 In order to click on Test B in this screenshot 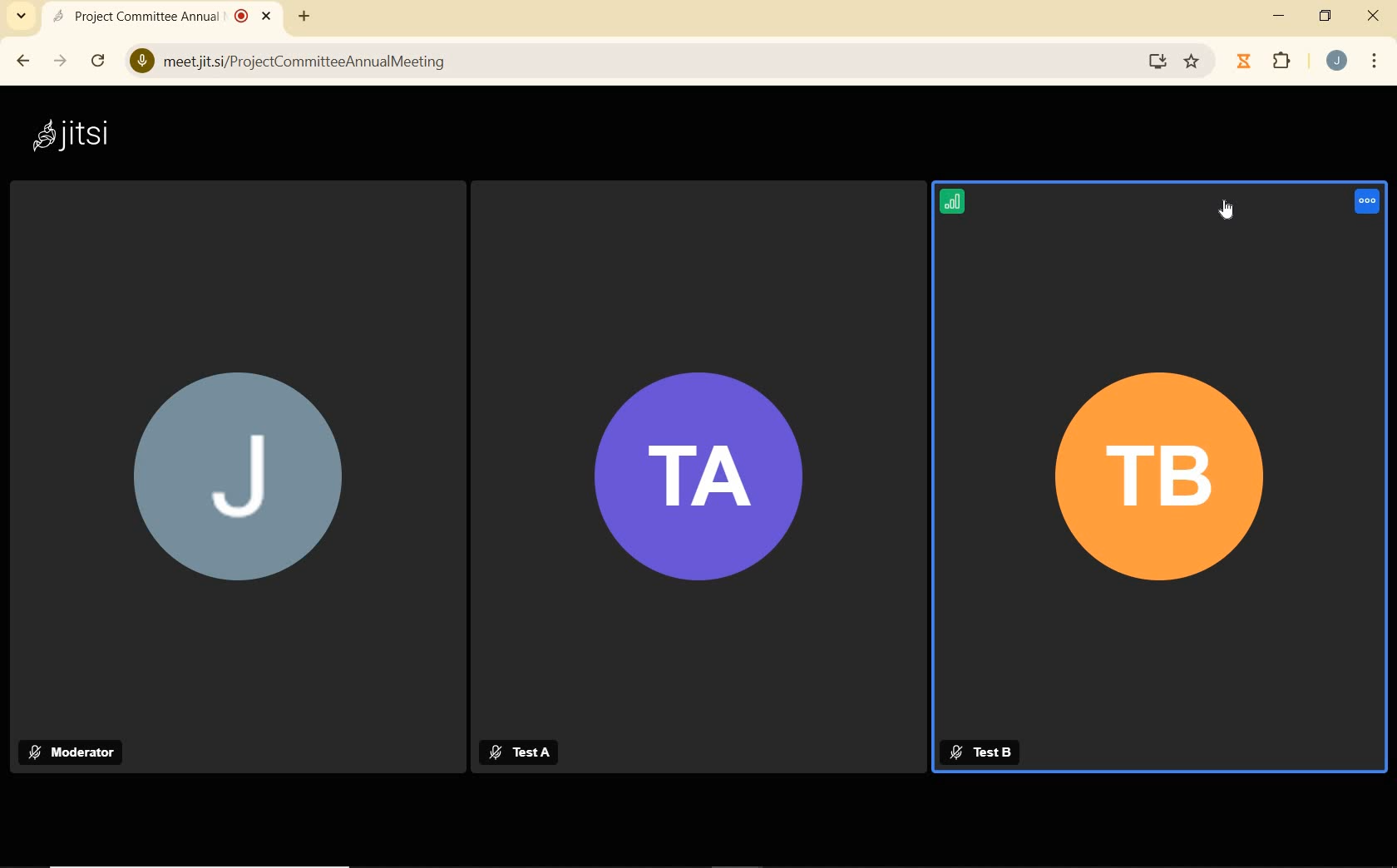, I will do `click(984, 752)`.